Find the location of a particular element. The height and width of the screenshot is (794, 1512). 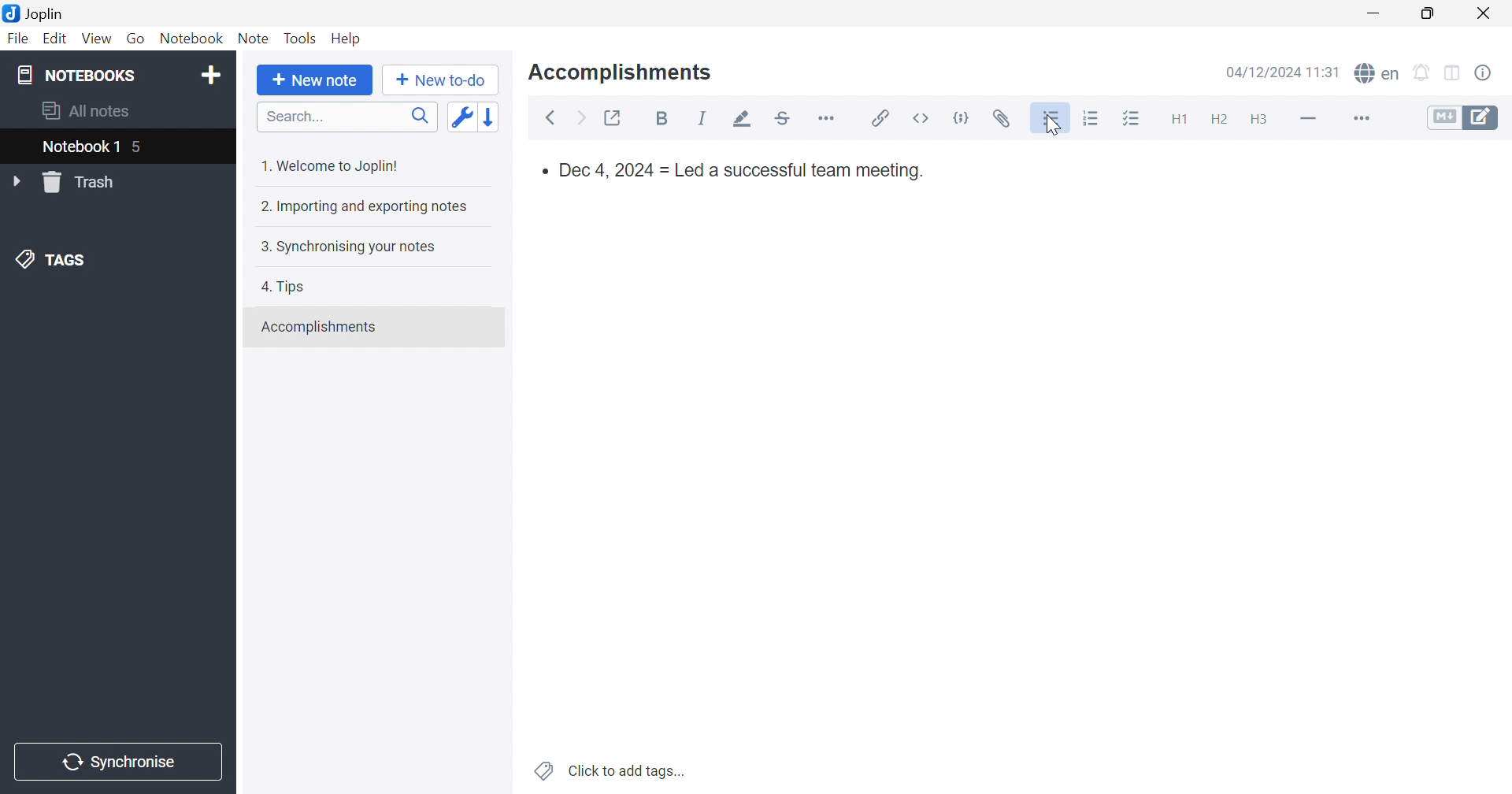

TAGS is located at coordinates (46, 258).